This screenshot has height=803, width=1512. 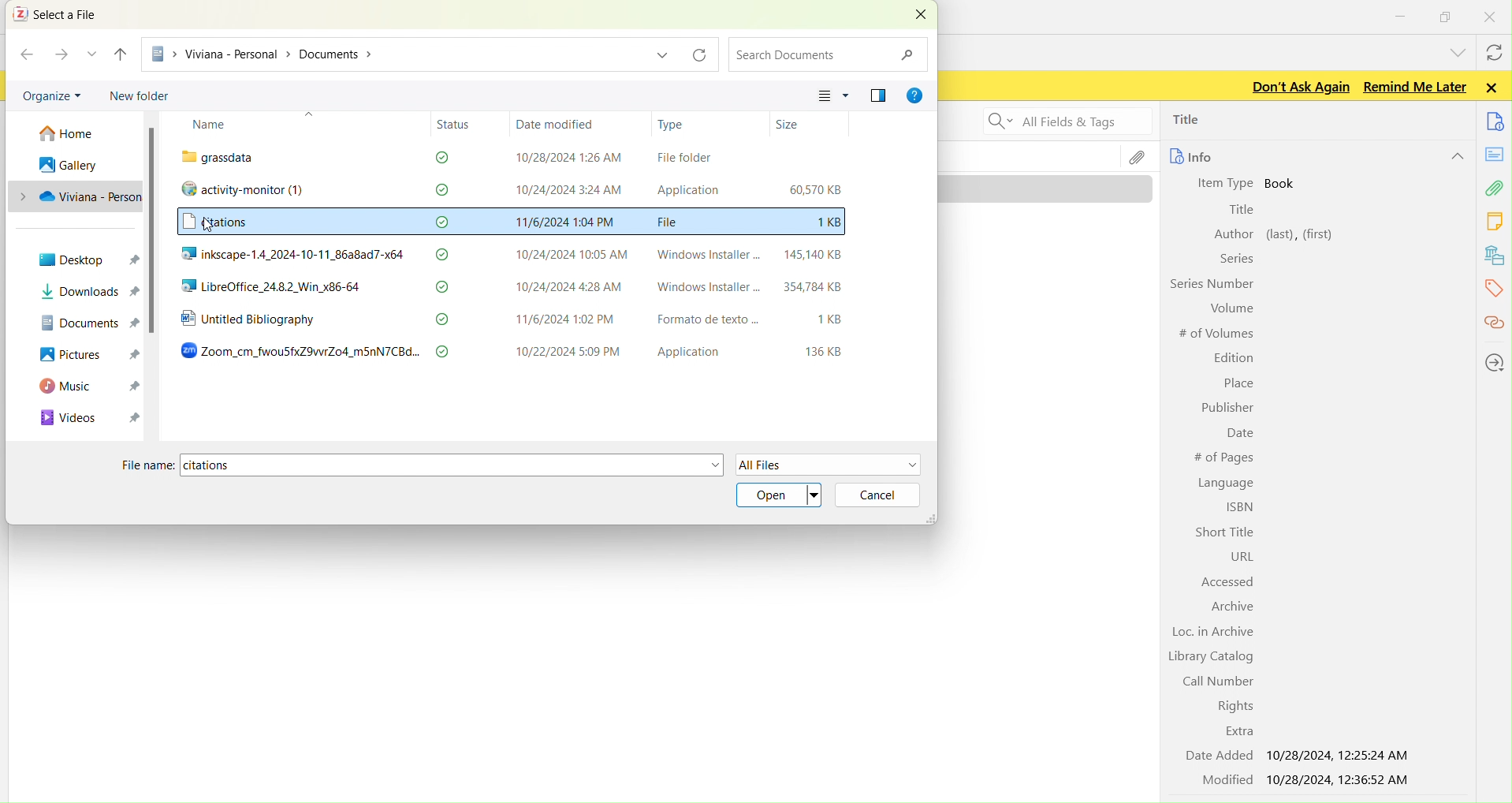 I want to click on CHANGE YOUR VIEW, so click(x=830, y=95).